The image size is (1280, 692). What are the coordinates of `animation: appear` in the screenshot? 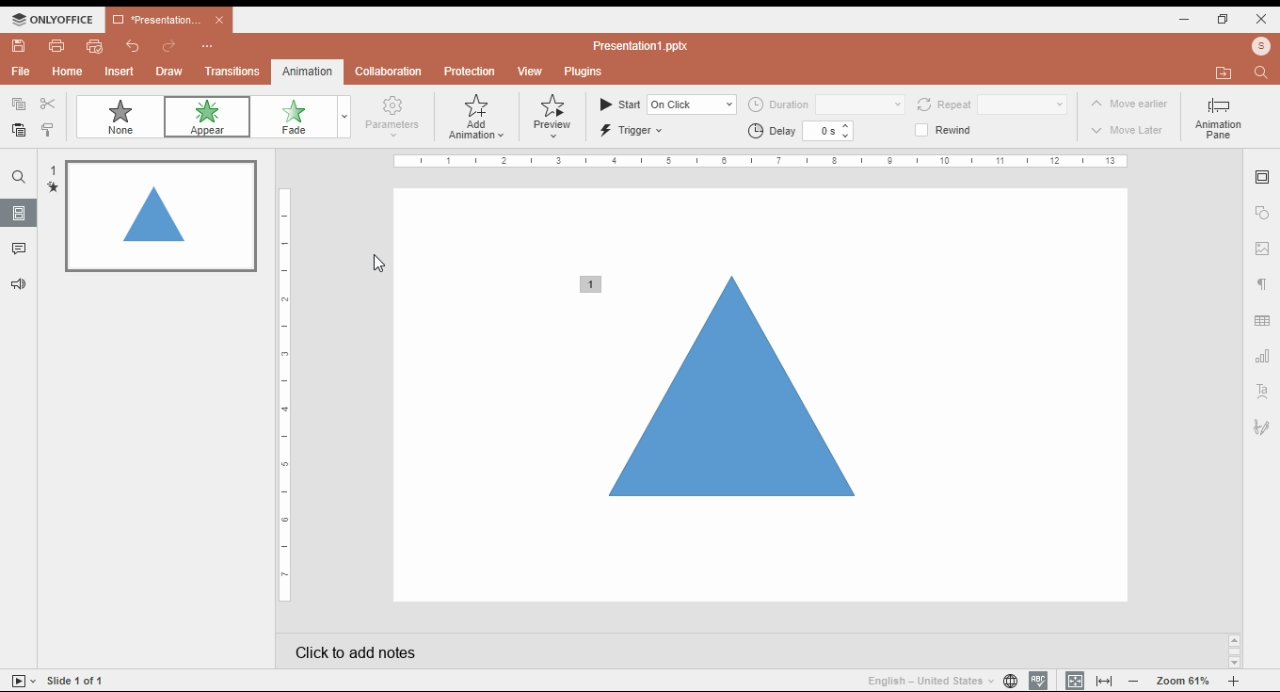 It's located at (204, 118).